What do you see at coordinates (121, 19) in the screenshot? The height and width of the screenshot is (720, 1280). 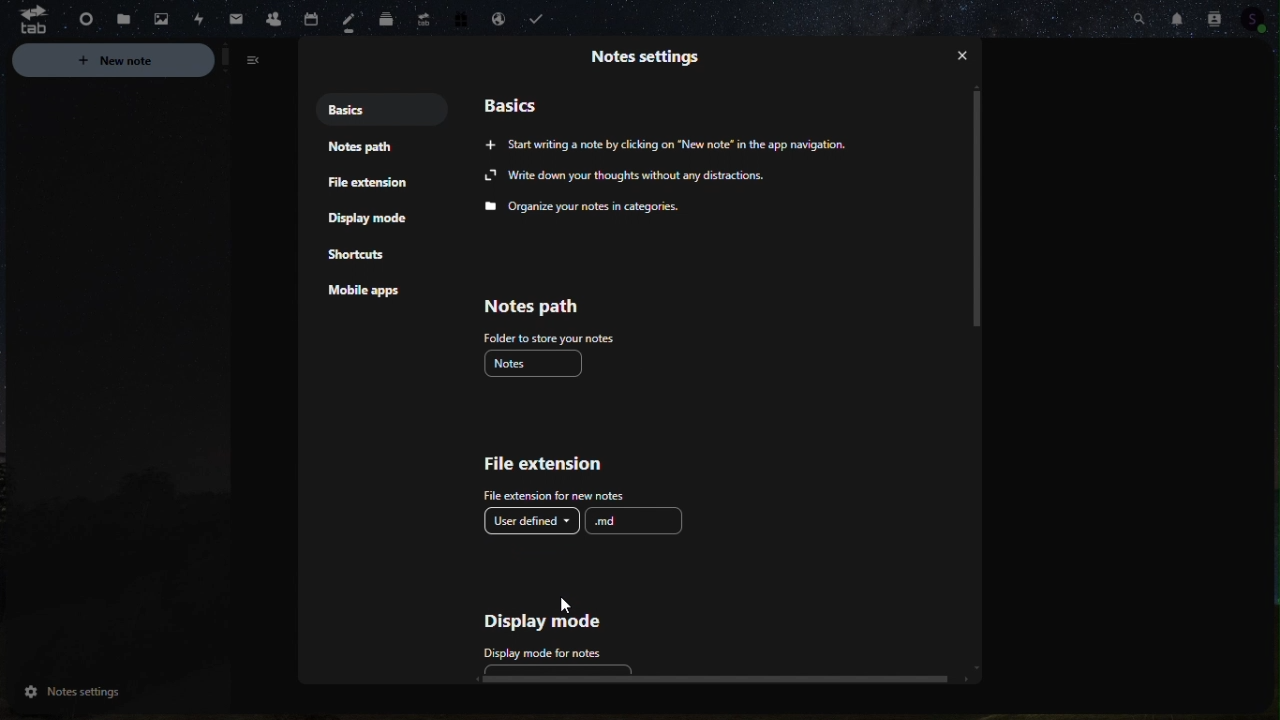 I see `Files` at bounding box center [121, 19].